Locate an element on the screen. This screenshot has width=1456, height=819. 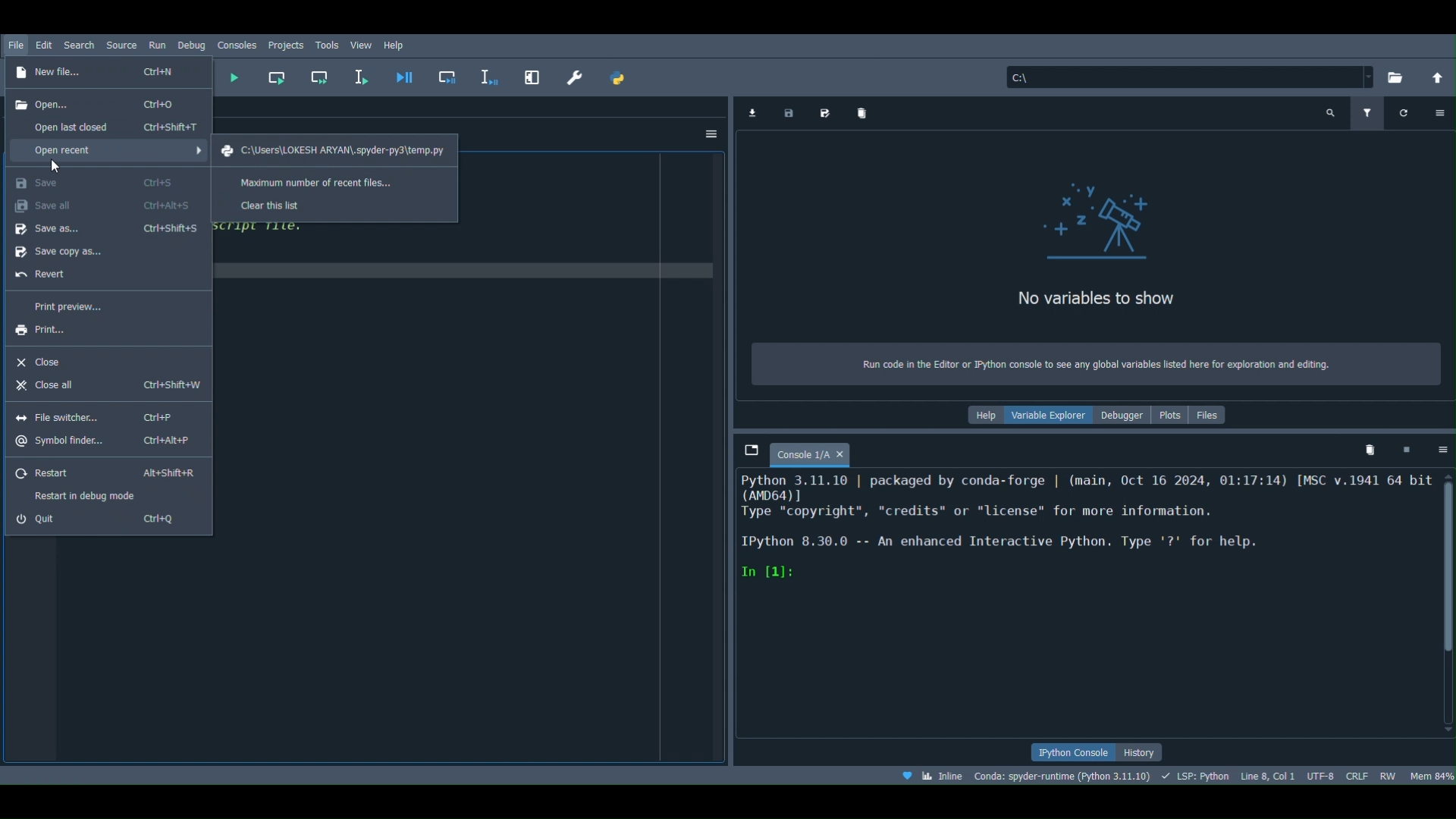
Revert is located at coordinates (90, 275).